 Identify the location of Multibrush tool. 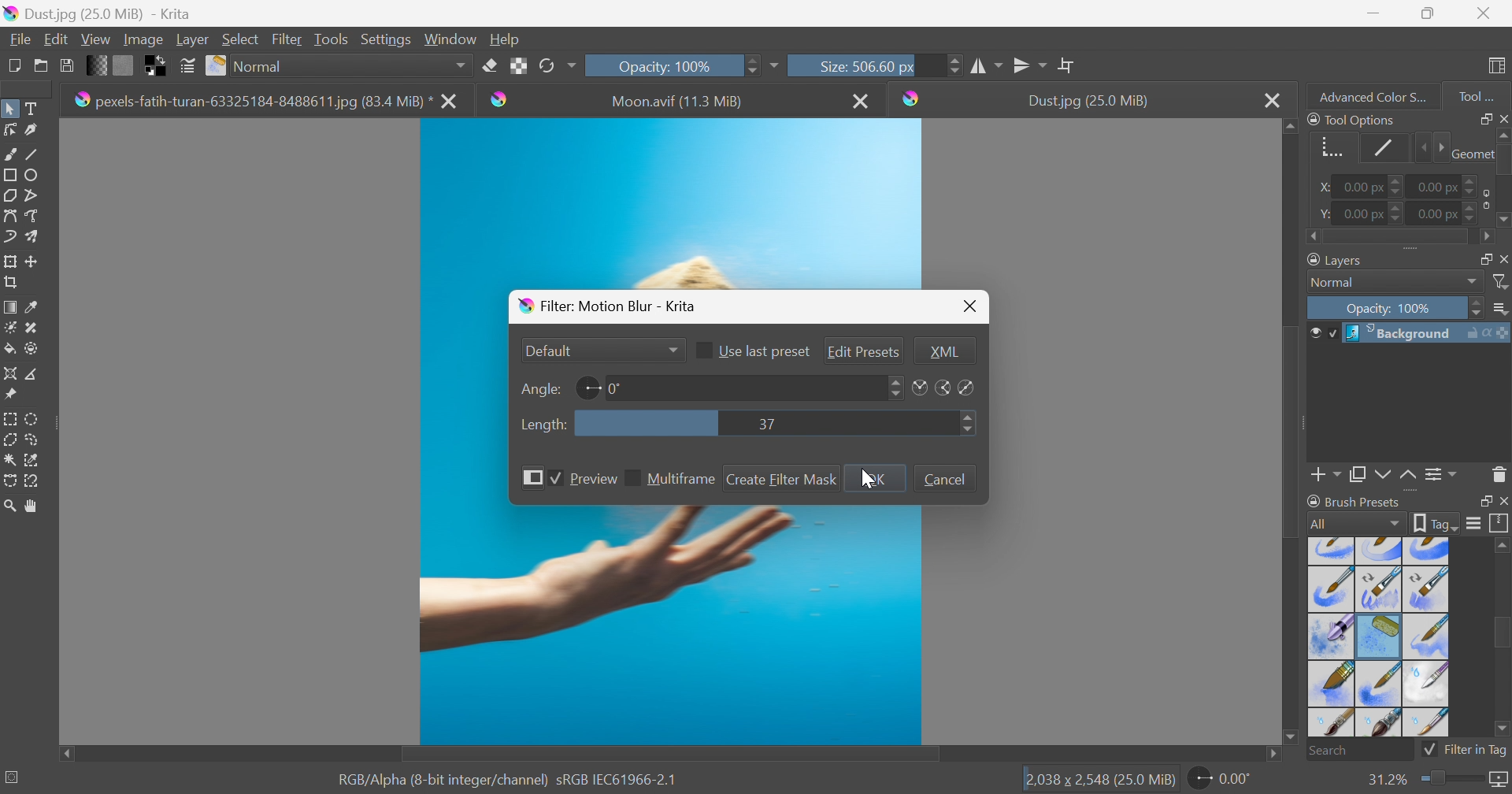
(37, 236).